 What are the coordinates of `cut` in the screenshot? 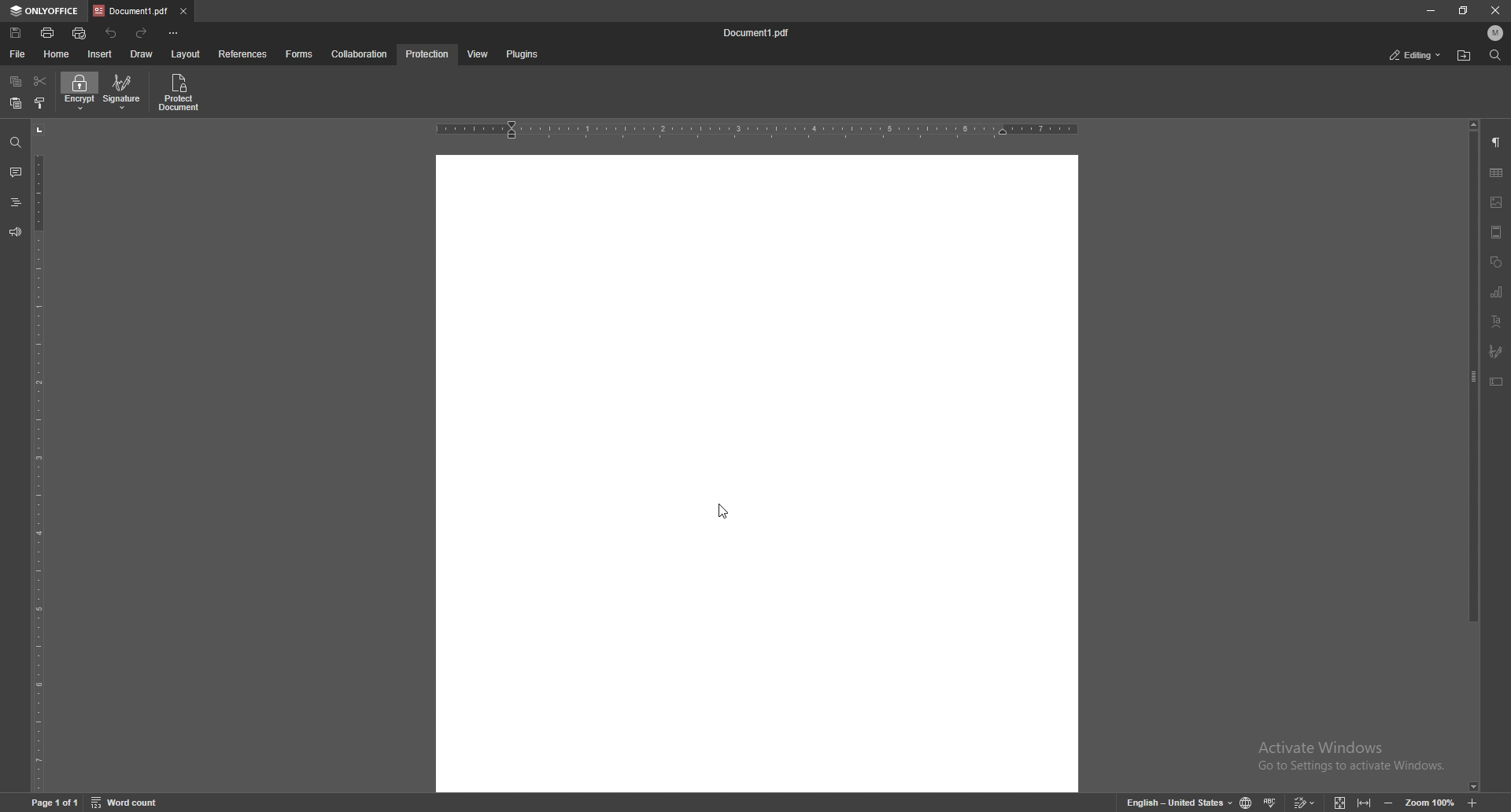 It's located at (39, 80).